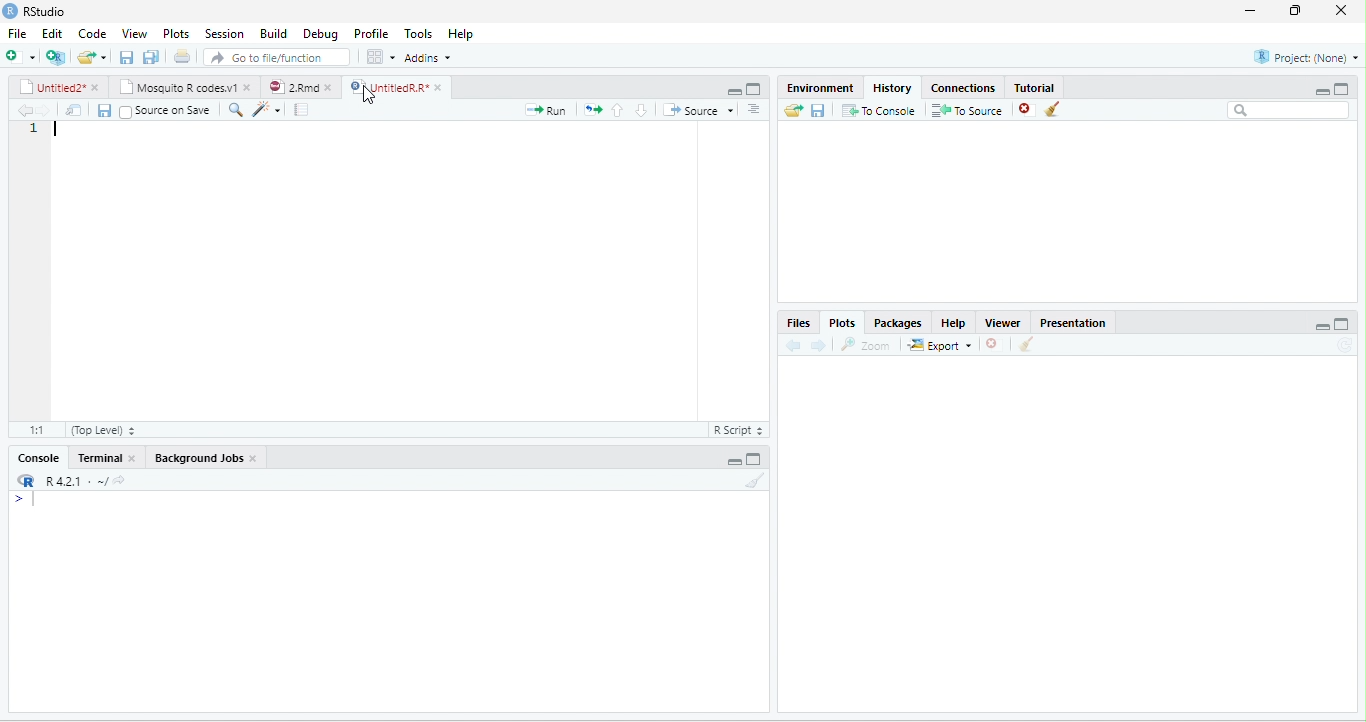  Describe the element at coordinates (1345, 11) in the screenshot. I see `close` at that location.